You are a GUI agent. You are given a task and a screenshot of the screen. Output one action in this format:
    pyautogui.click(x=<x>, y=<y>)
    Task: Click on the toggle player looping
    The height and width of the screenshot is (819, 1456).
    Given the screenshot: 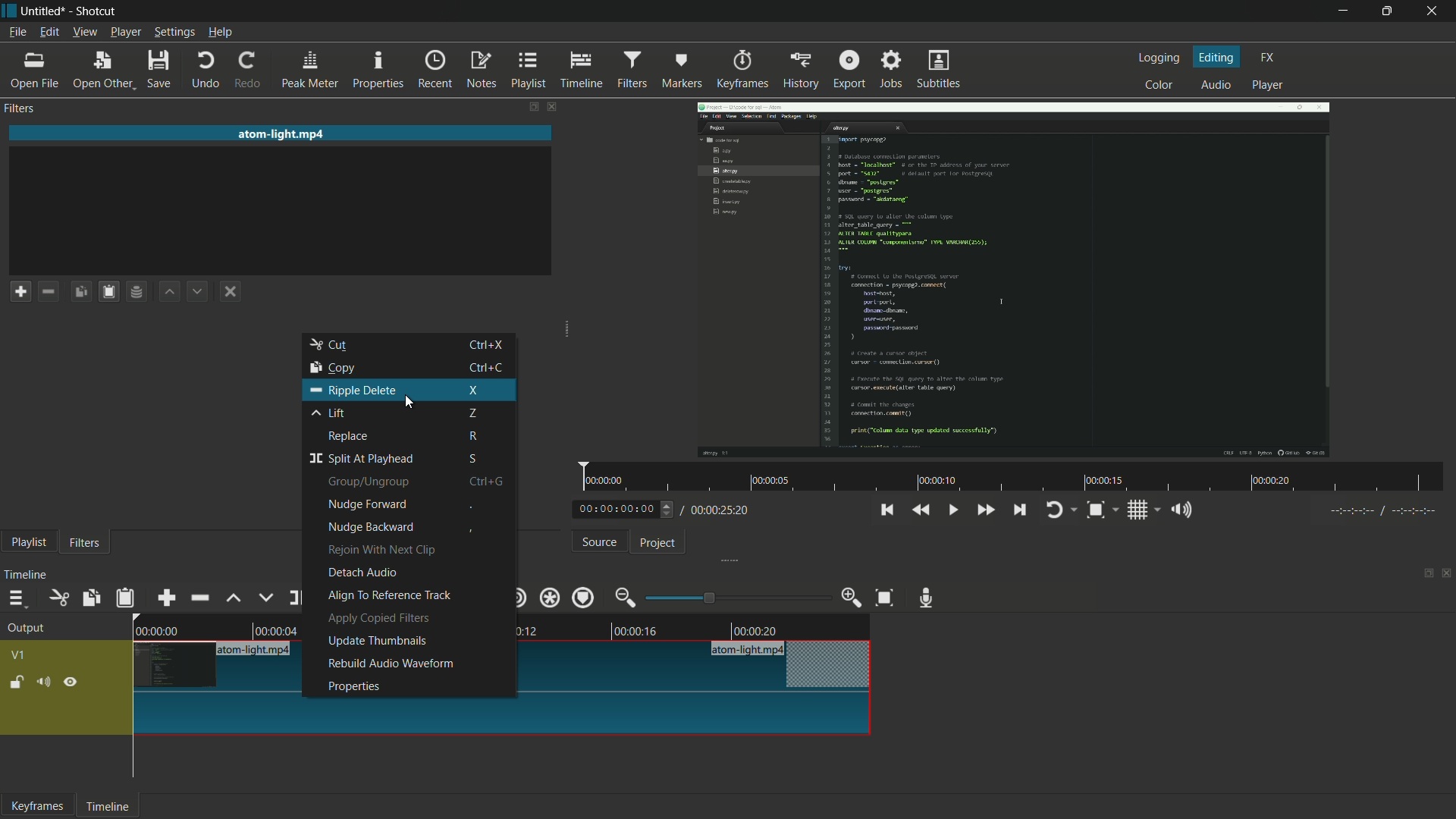 What is the action you would take?
    pyautogui.click(x=1054, y=510)
    